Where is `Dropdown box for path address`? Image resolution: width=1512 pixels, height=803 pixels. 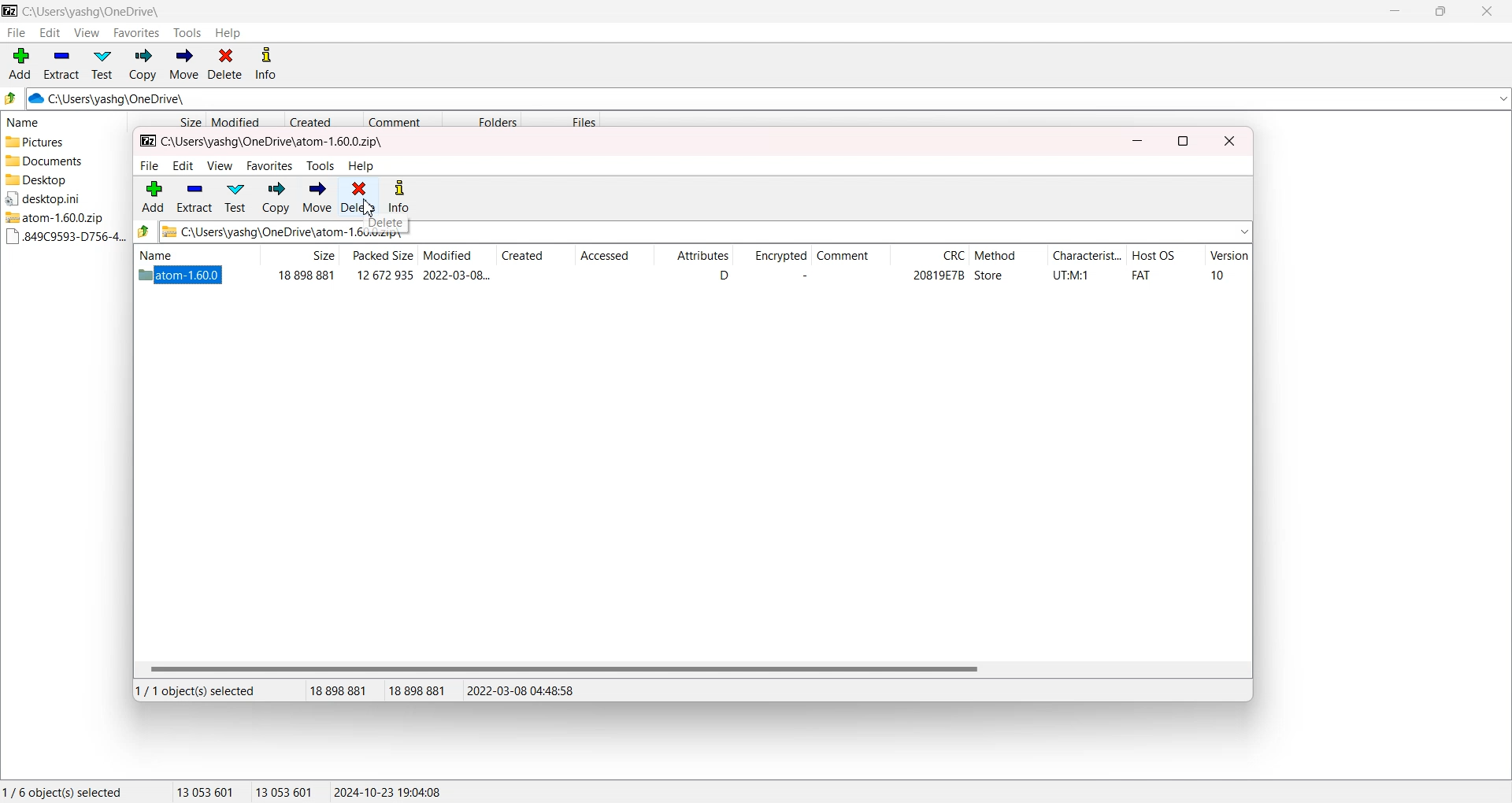
Dropdown box for path address is located at coordinates (1502, 99).